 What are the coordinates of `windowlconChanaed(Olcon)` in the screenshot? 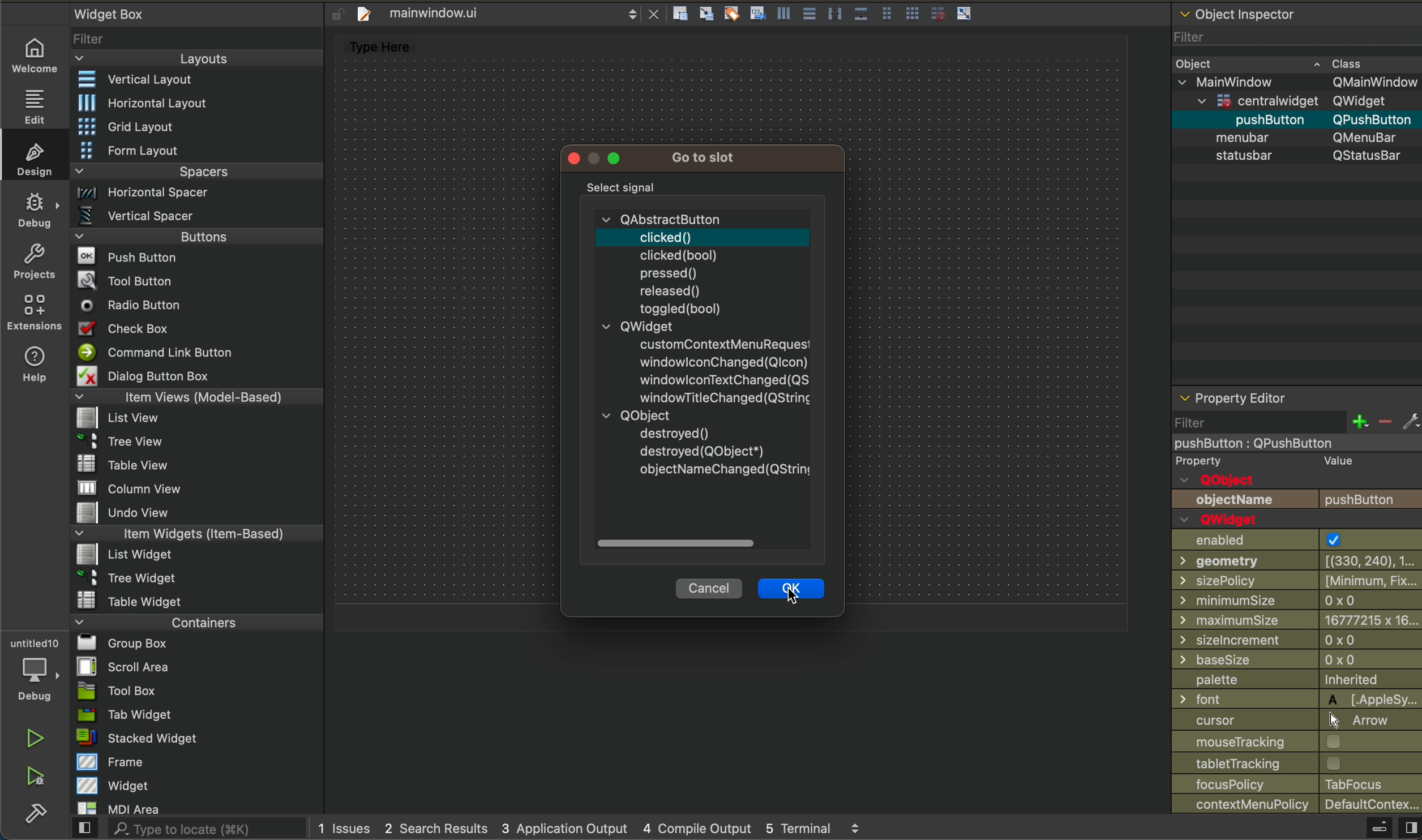 It's located at (723, 359).